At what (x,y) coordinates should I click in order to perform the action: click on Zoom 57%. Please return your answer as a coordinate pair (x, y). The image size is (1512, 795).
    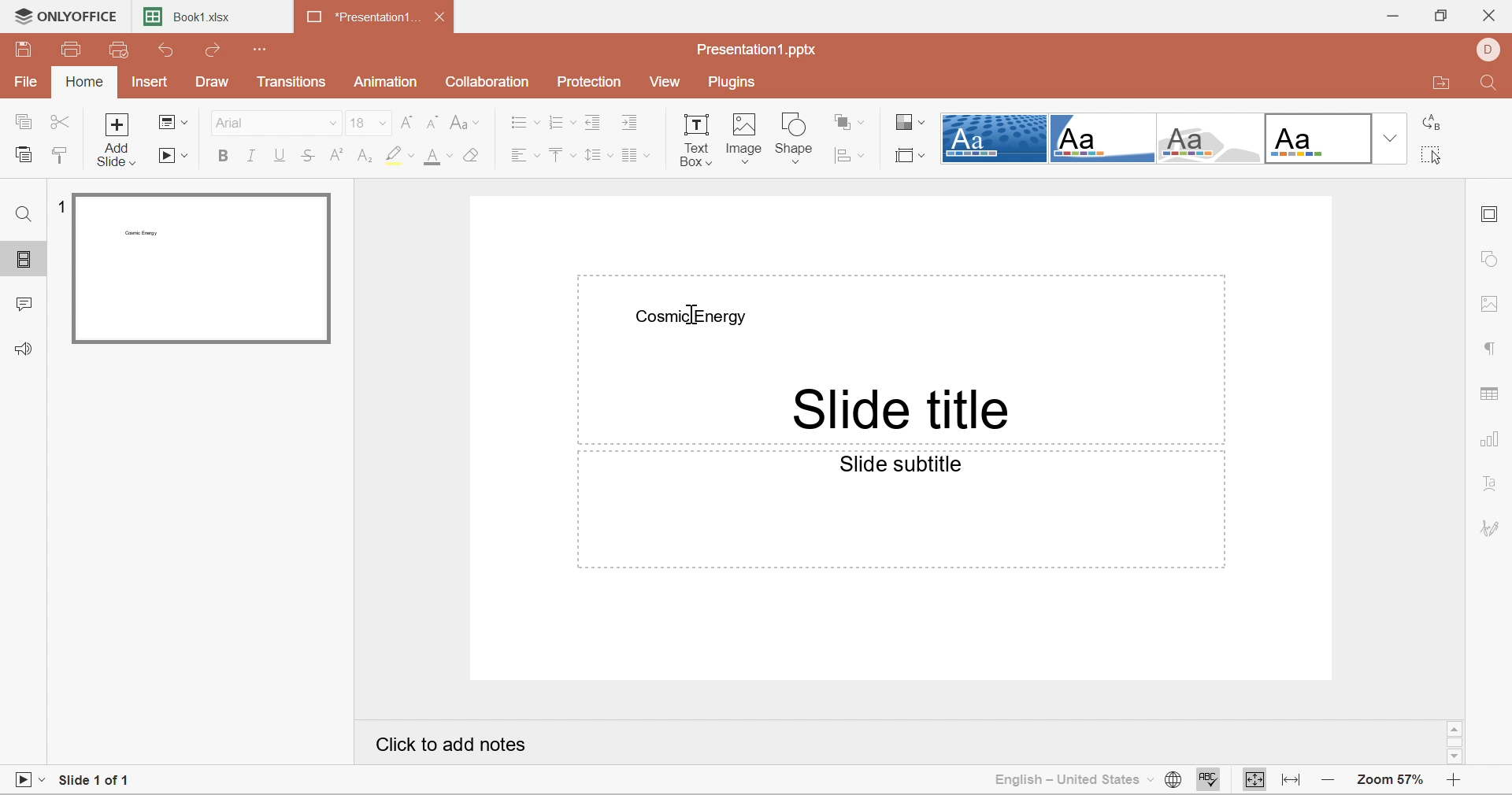
    Looking at the image, I should click on (1392, 780).